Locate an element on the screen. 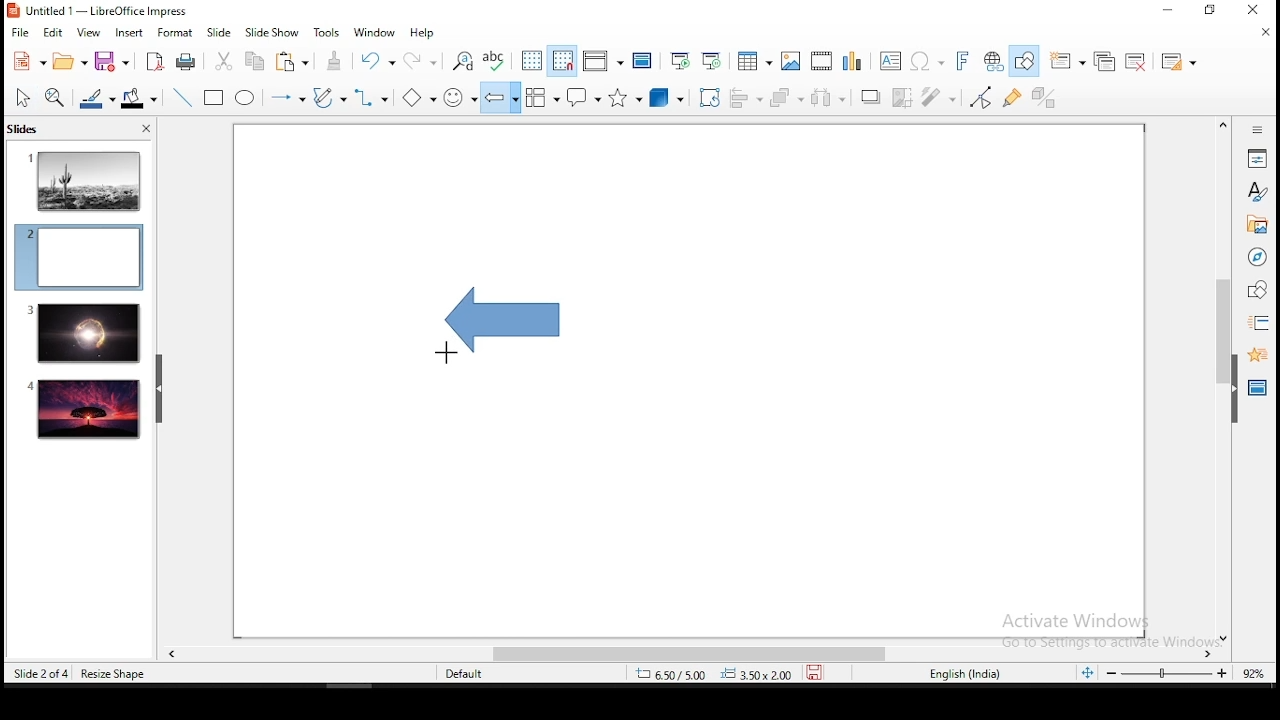 The height and width of the screenshot is (720, 1280). tables is located at coordinates (752, 58).